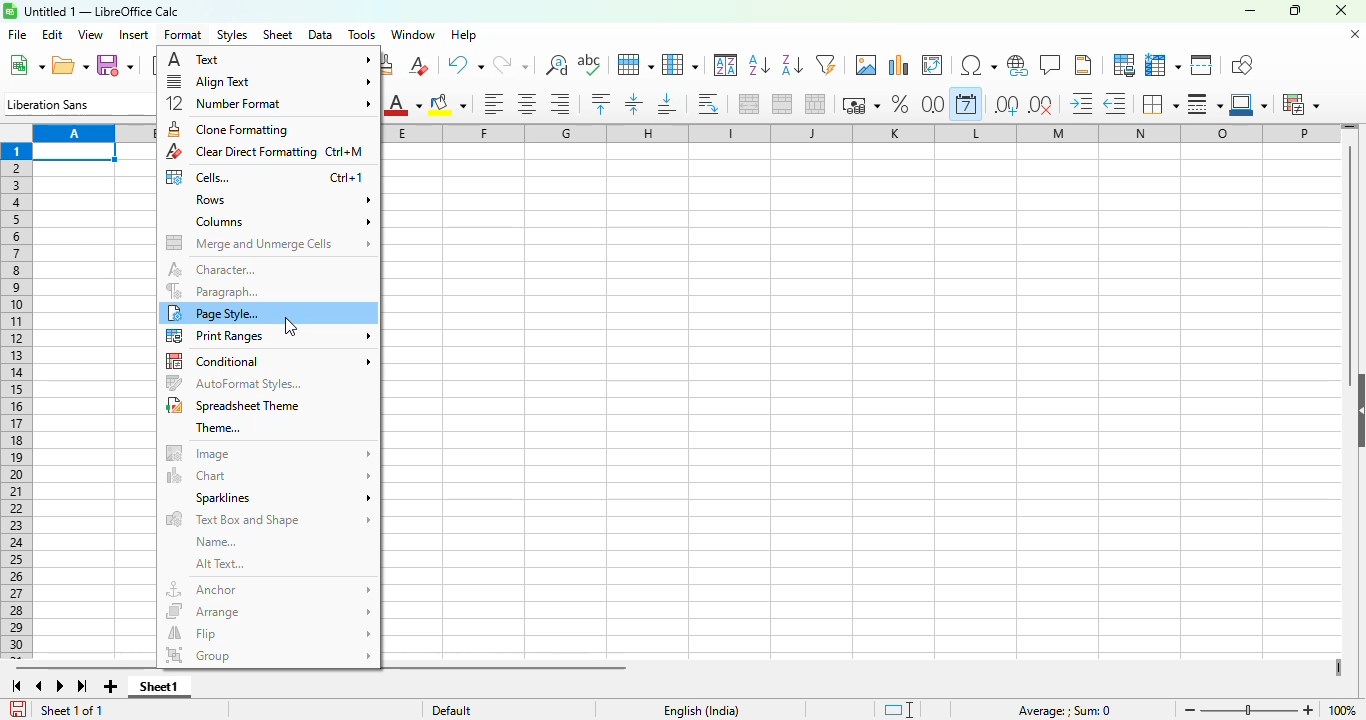 The image size is (1366, 720). What do you see at coordinates (17, 34) in the screenshot?
I see `file` at bounding box center [17, 34].